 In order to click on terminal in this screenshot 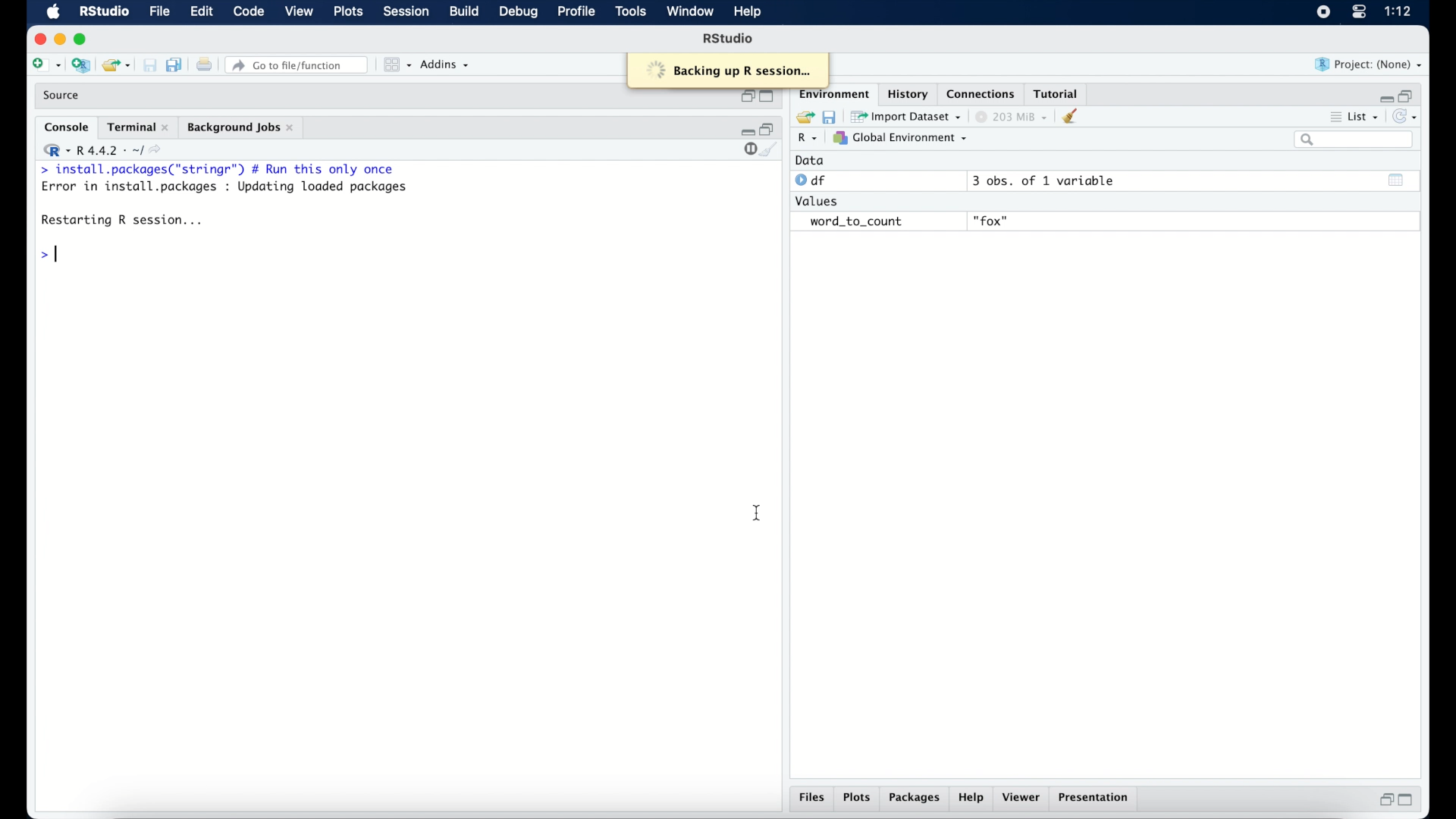, I will do `click(138, 127)`.